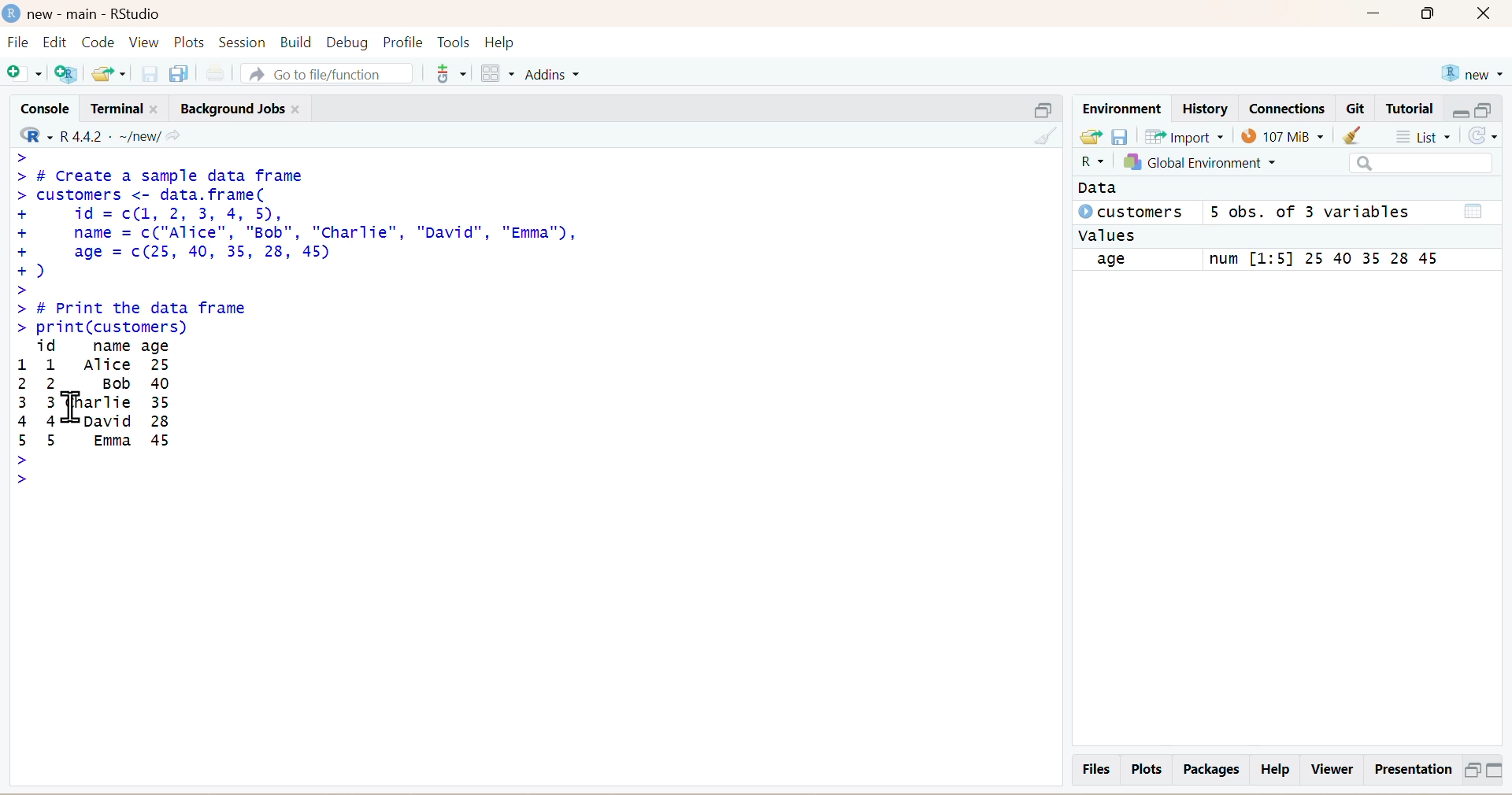  What do you see at coordinates (554, 75) in the screenshot?
I see `Addins ~` at bounding box center [554, 75].